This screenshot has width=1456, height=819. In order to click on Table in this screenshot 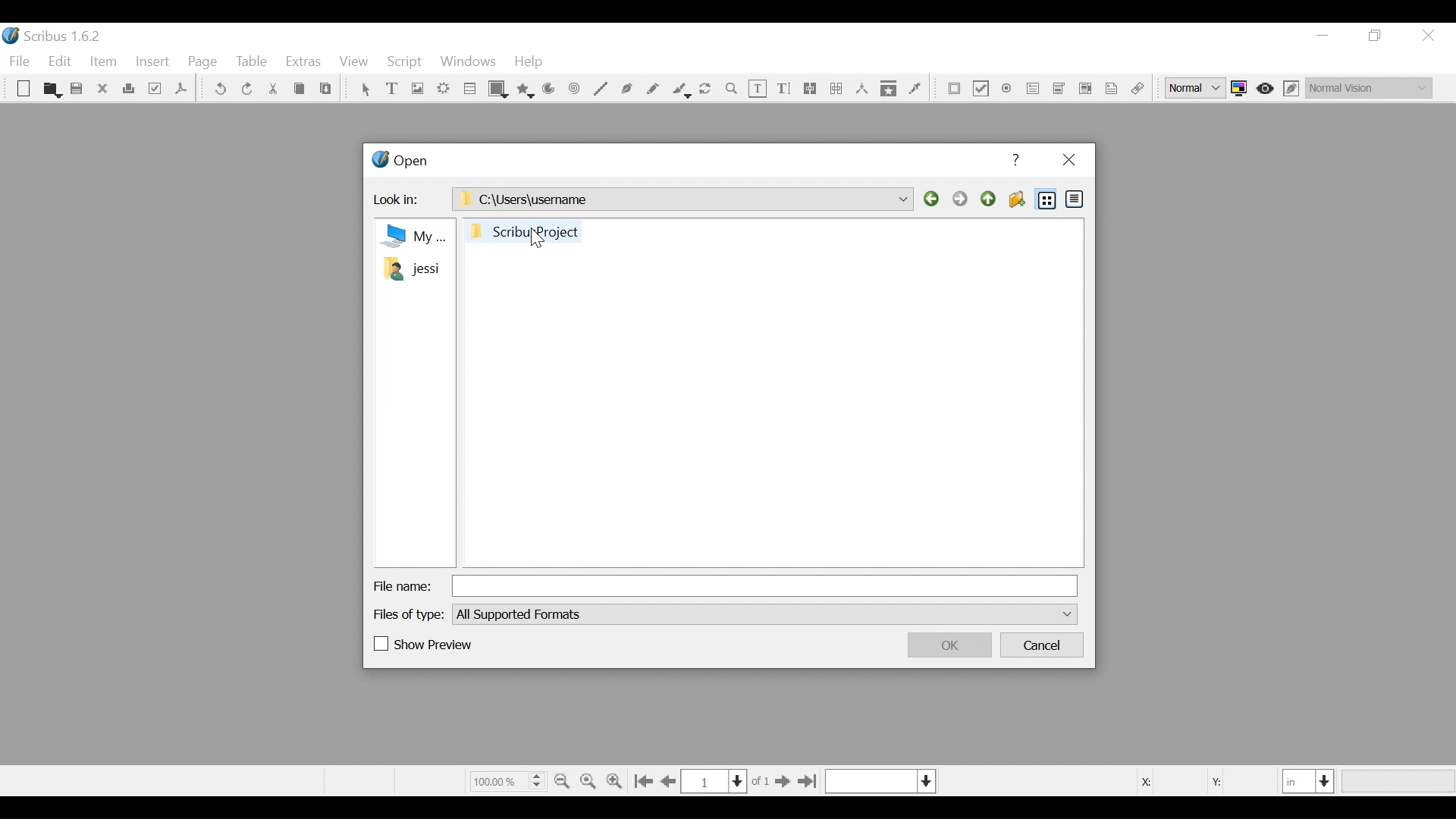, I will do `click(470, 90)`.